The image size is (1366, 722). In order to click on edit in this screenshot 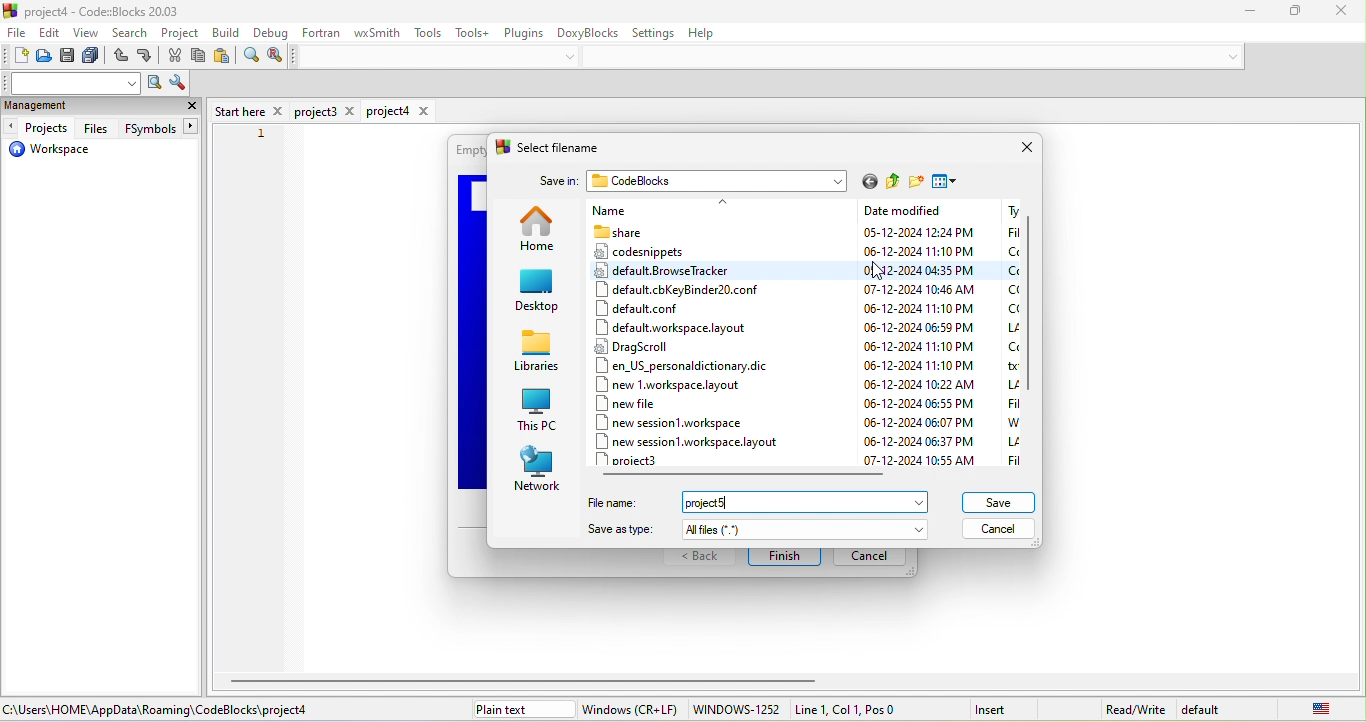, I will do `click(51, 34)`.